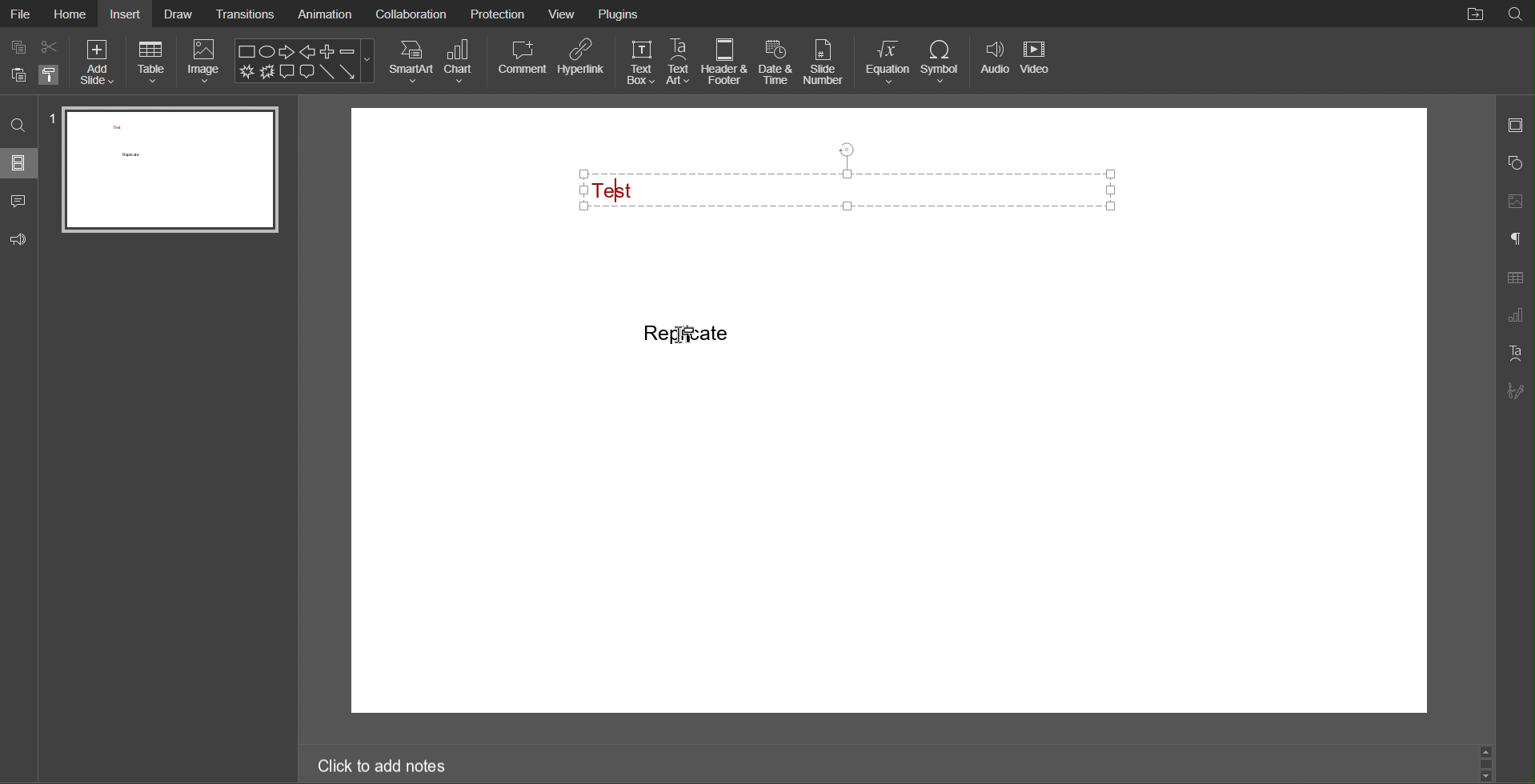  Describe the element at coordinates (583, 62) in the screenshot. I see `Hyperlink` at that location.